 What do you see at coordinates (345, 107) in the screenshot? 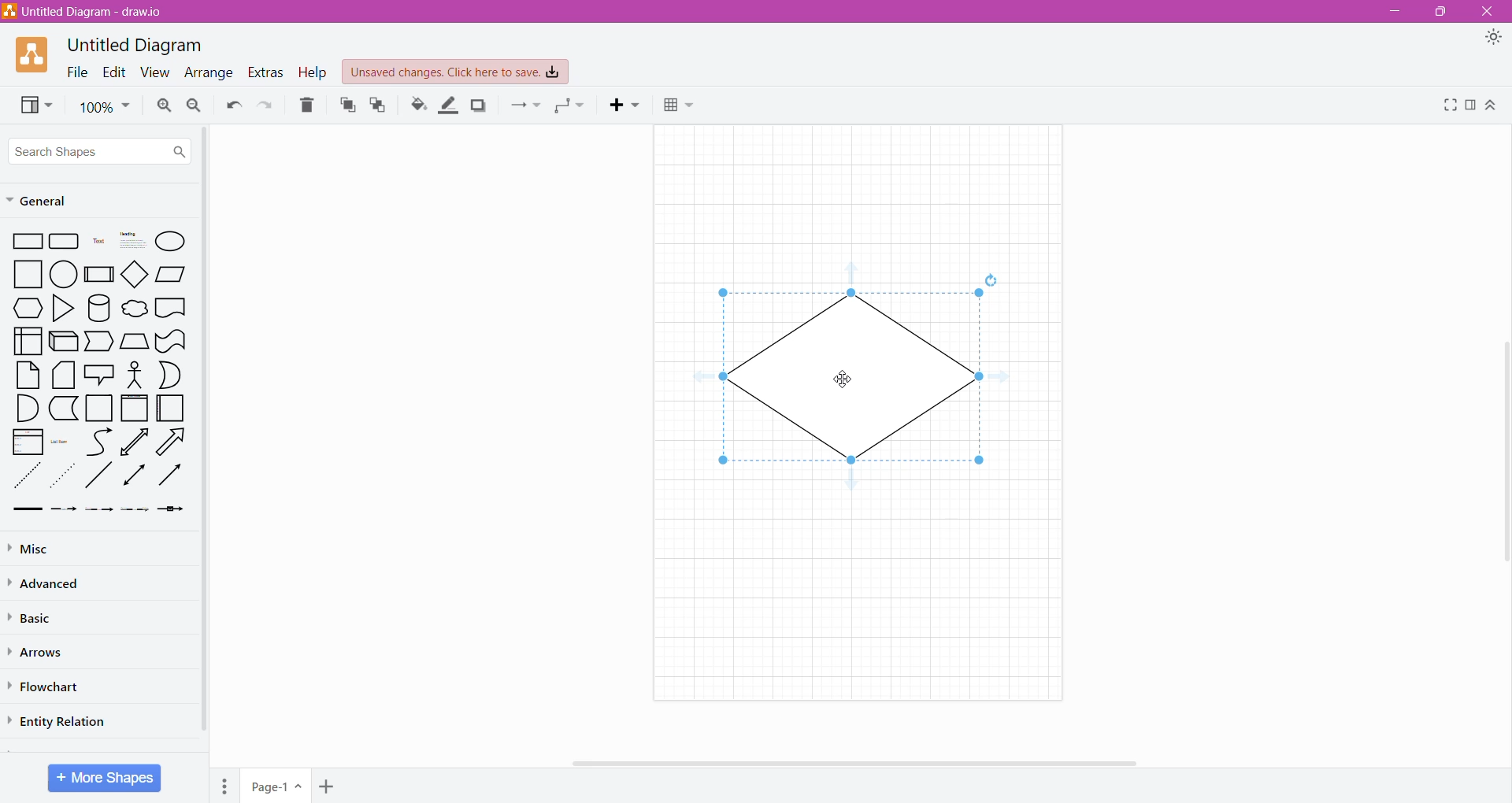
I see `To Front` at bounding box center [345, 107].